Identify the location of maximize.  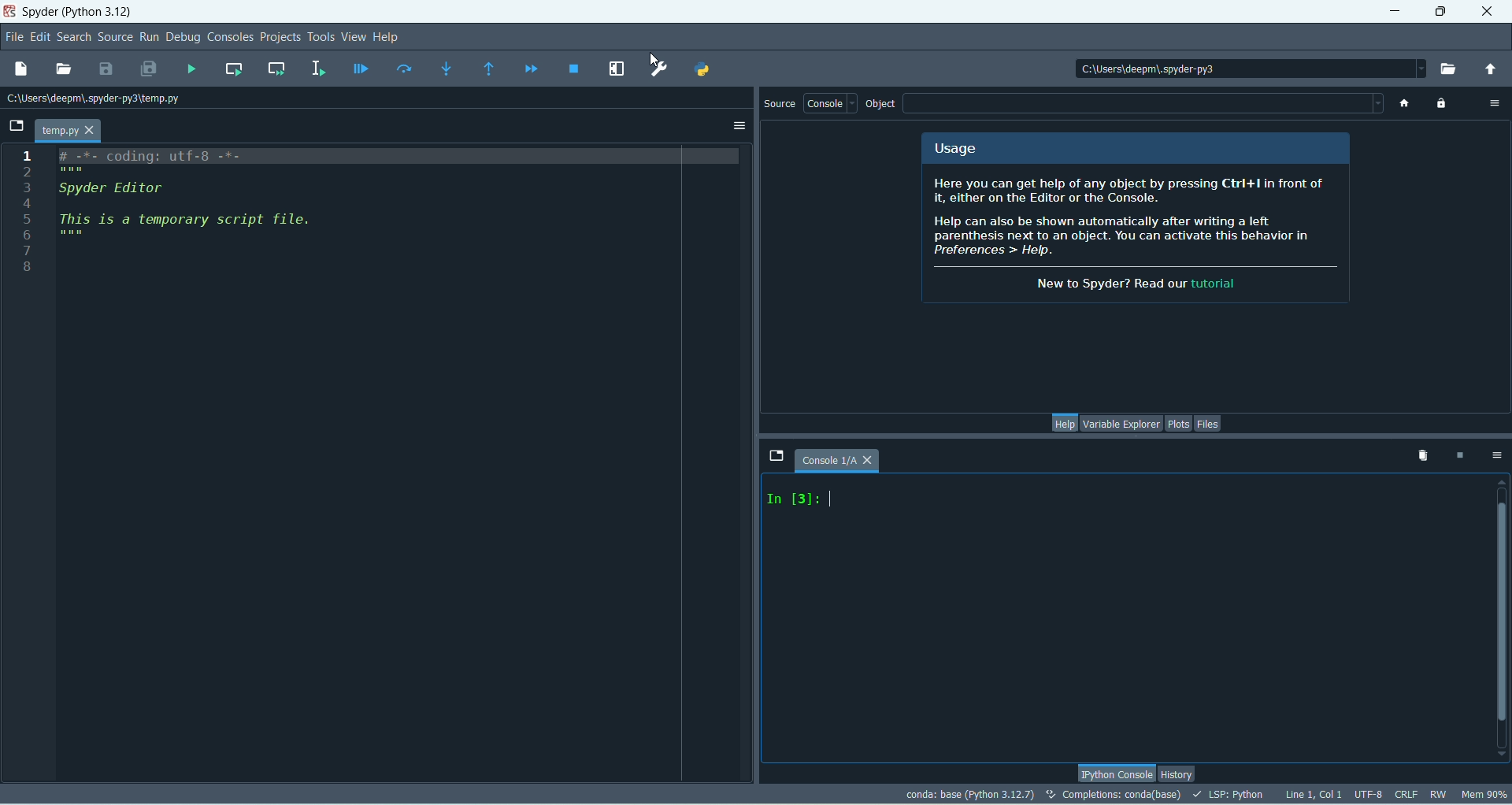
(1440, 12).